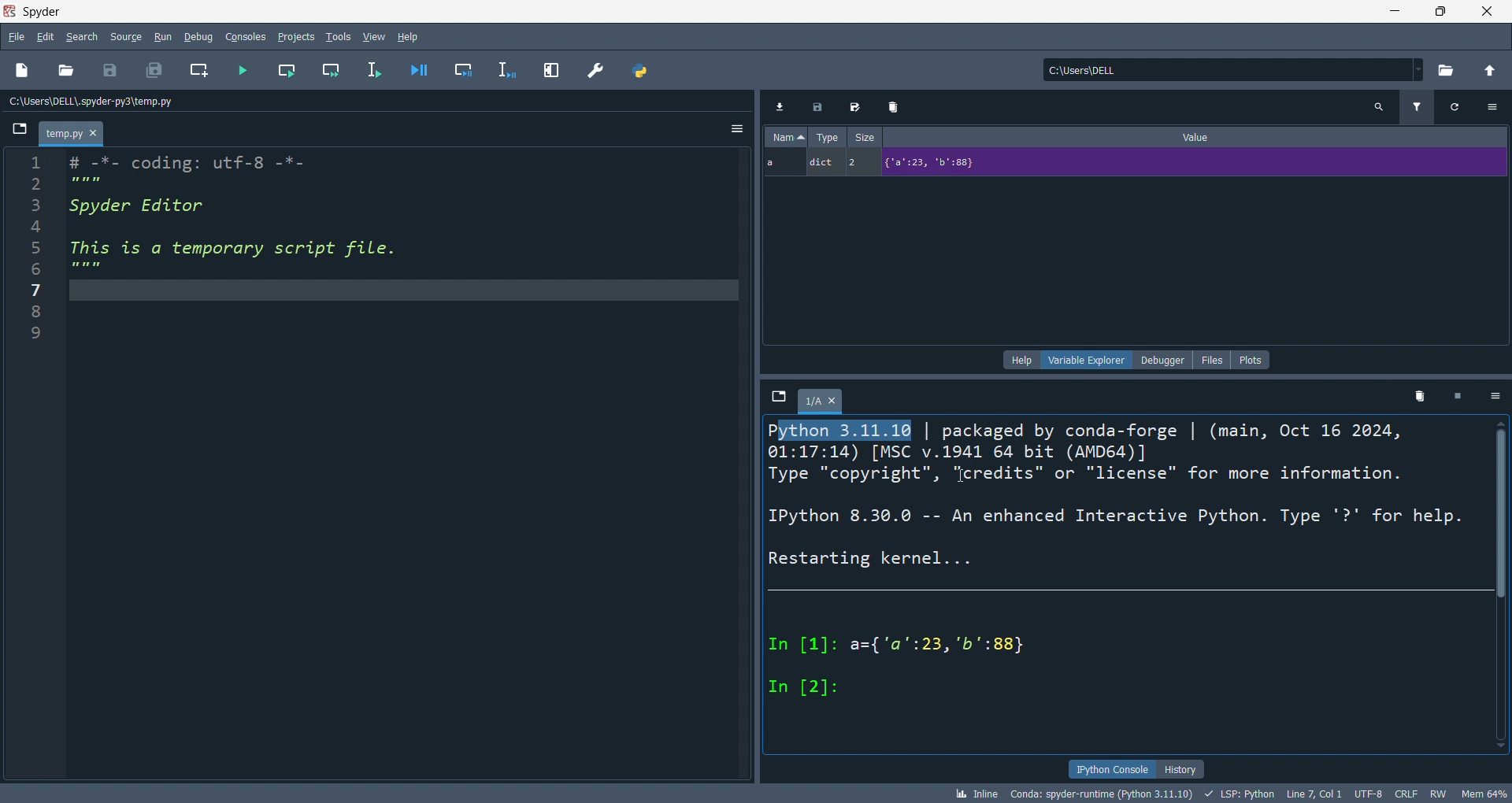  I want to click on preferences, so click(598, 72).